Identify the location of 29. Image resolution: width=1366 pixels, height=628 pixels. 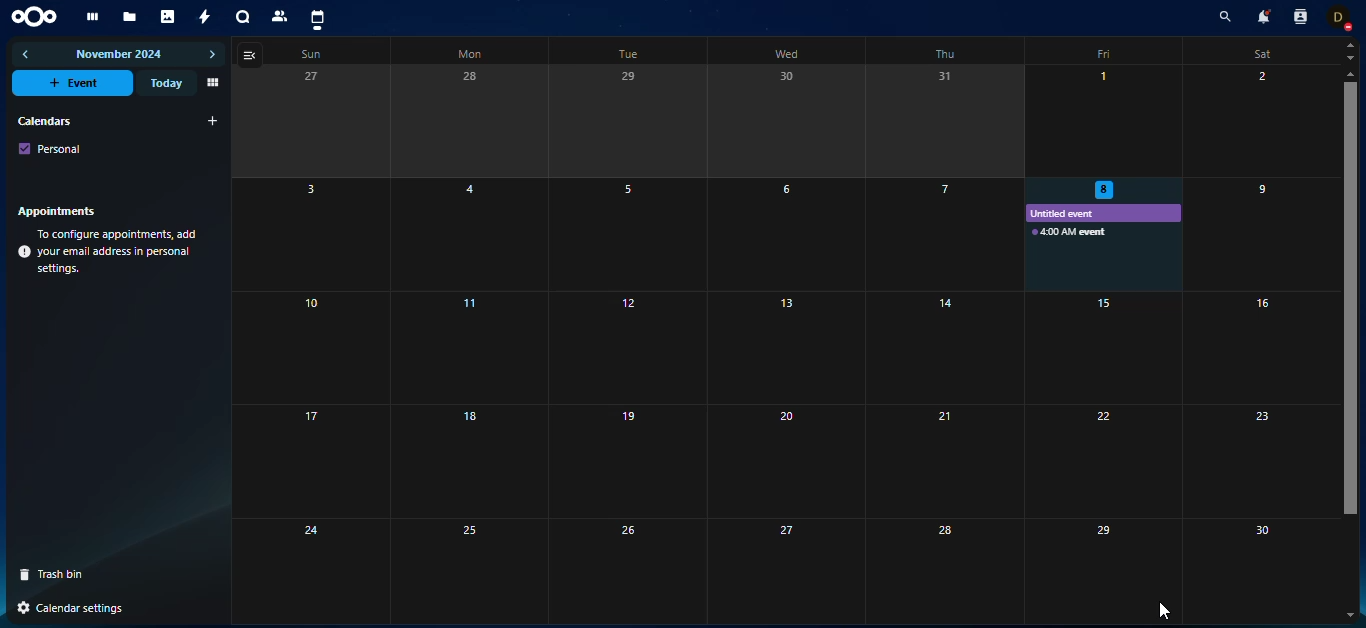
(1083, 567).